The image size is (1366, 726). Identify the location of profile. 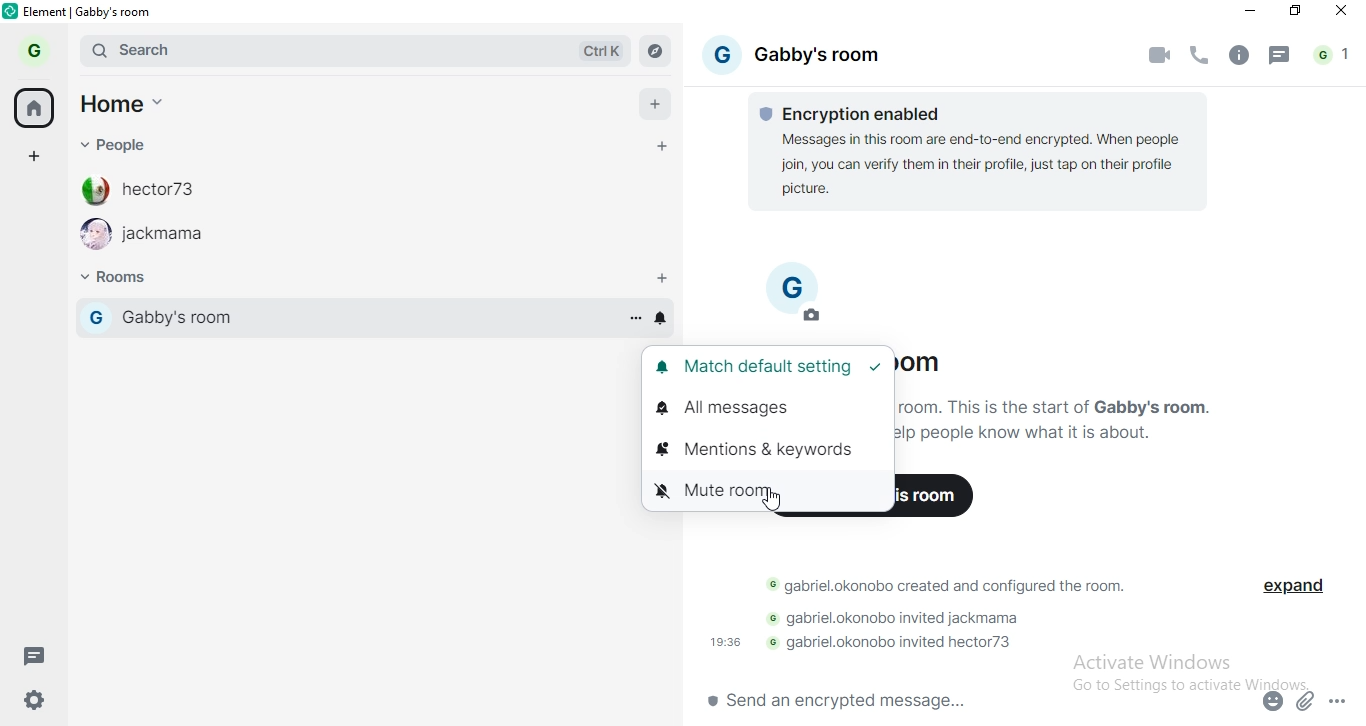
(95, 190).